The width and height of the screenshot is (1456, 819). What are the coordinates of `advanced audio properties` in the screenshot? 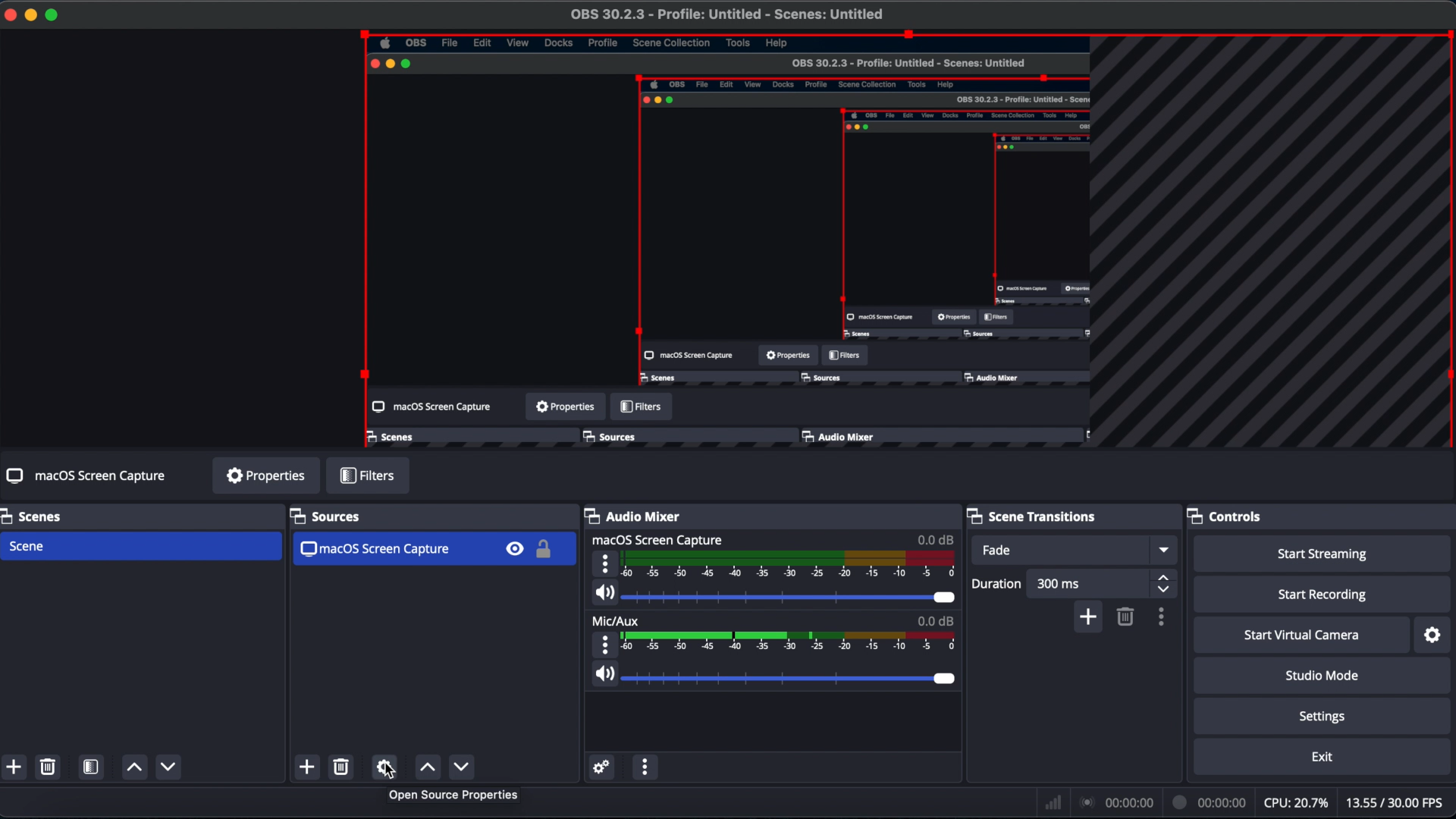 It's located at (602, 767).